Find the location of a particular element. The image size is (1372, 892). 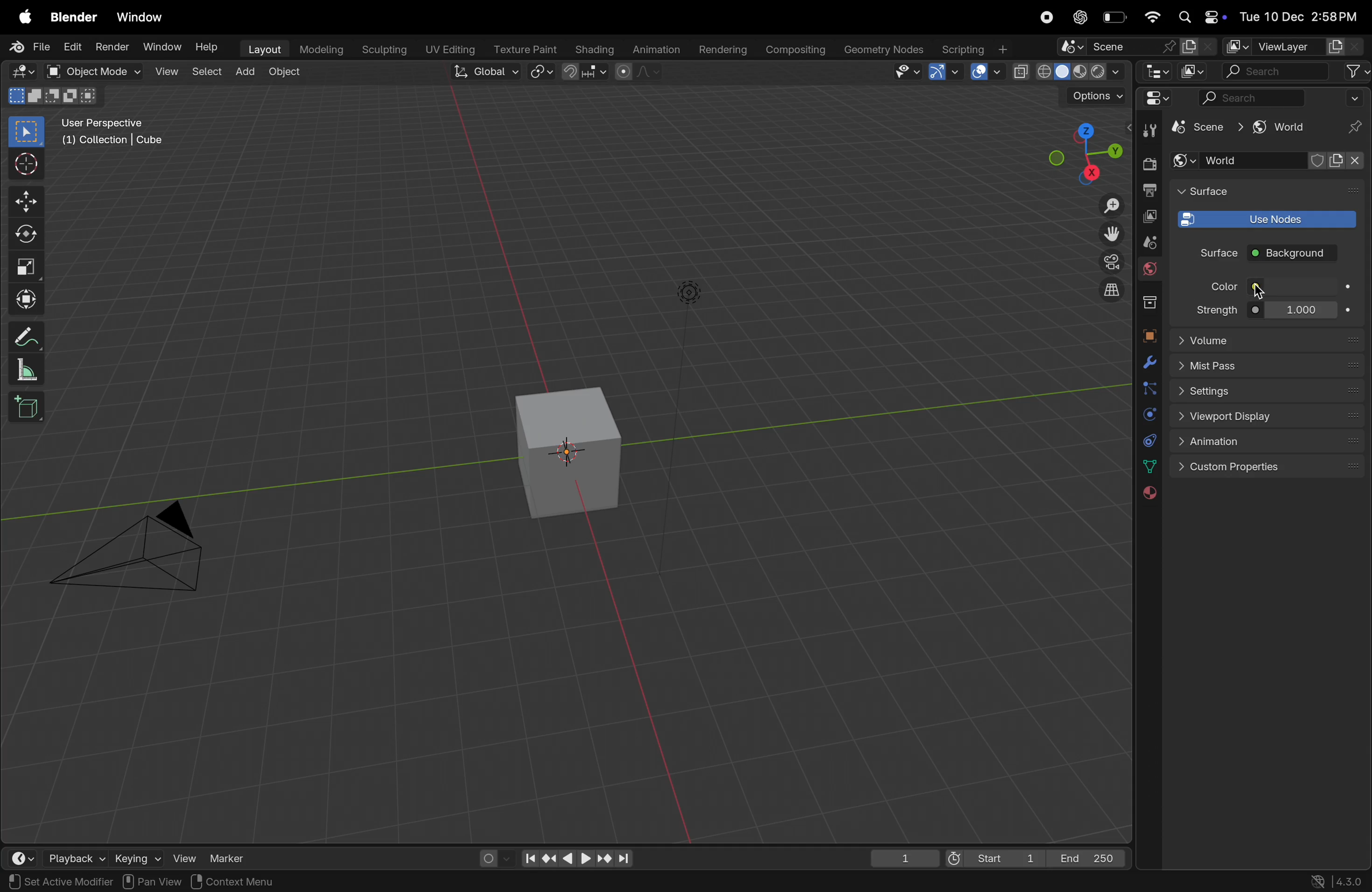

Display mode is located at coordinates (1194, 71).